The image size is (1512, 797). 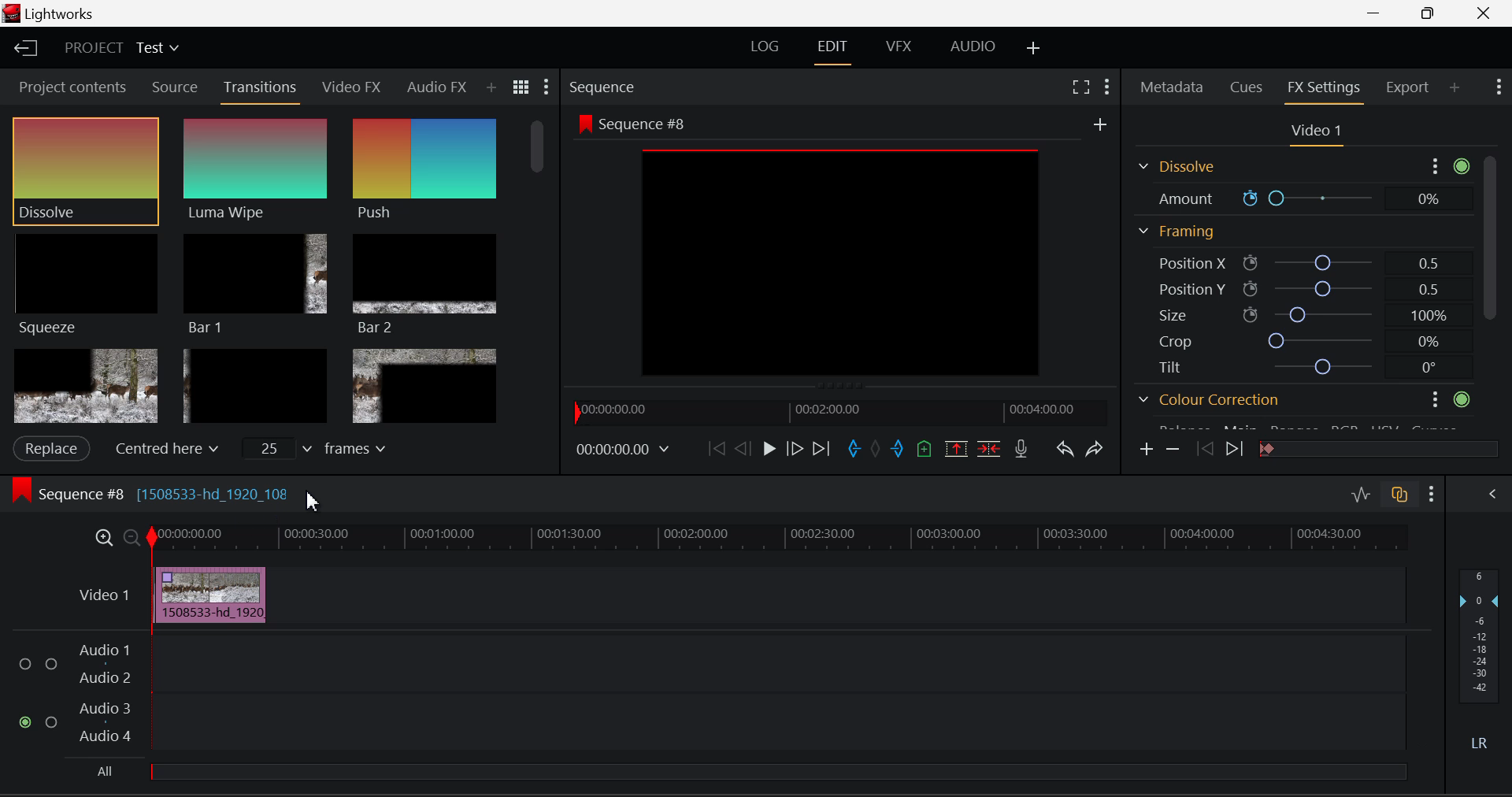 I want to click on Bar 1, so click(x=254, y=284).